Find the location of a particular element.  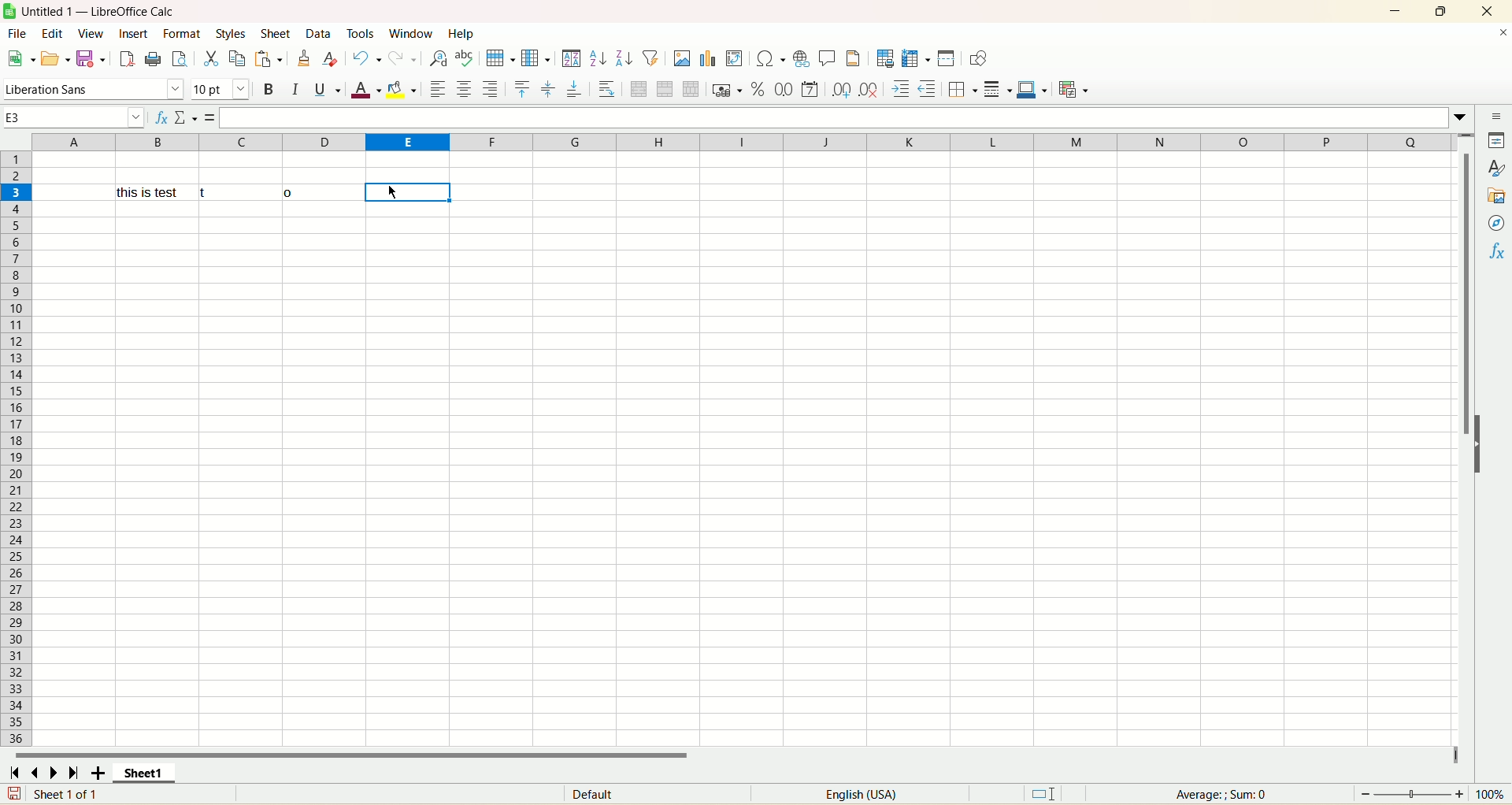

view is located at coordinates (91, 33).